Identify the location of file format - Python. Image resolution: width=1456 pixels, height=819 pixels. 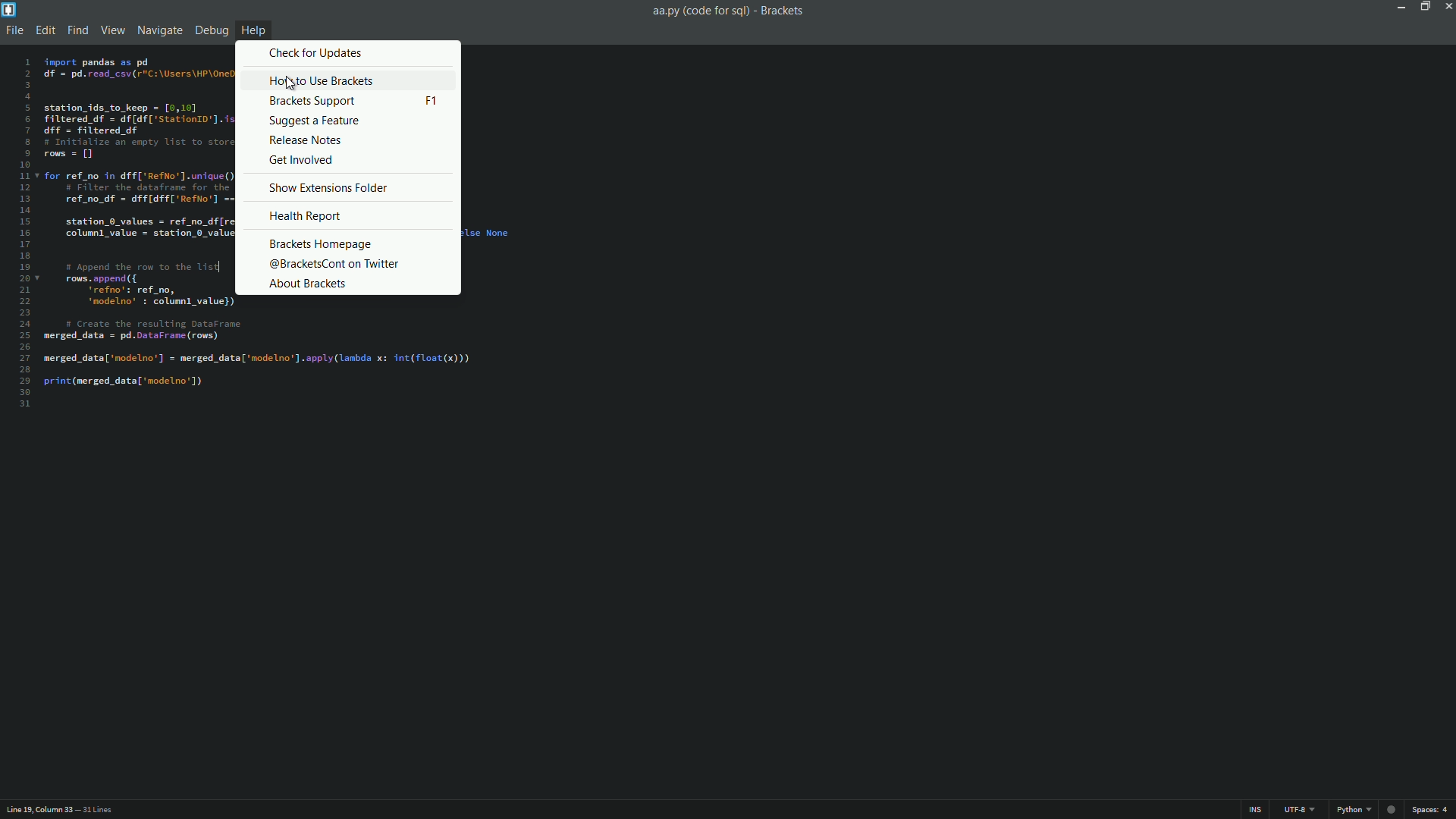
(1362, 808).